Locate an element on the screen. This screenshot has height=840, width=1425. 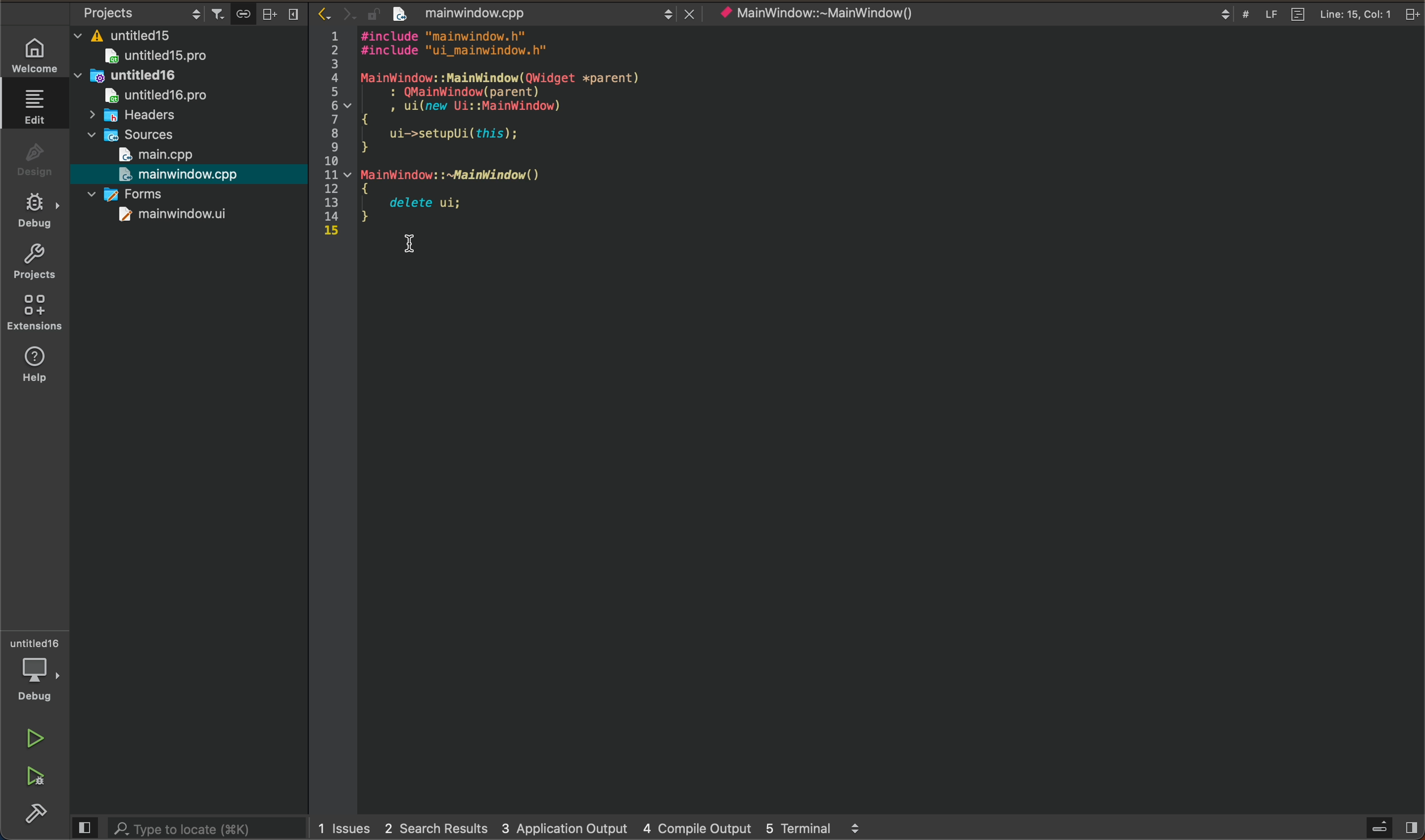
edit is located at coordinates (35, 106).